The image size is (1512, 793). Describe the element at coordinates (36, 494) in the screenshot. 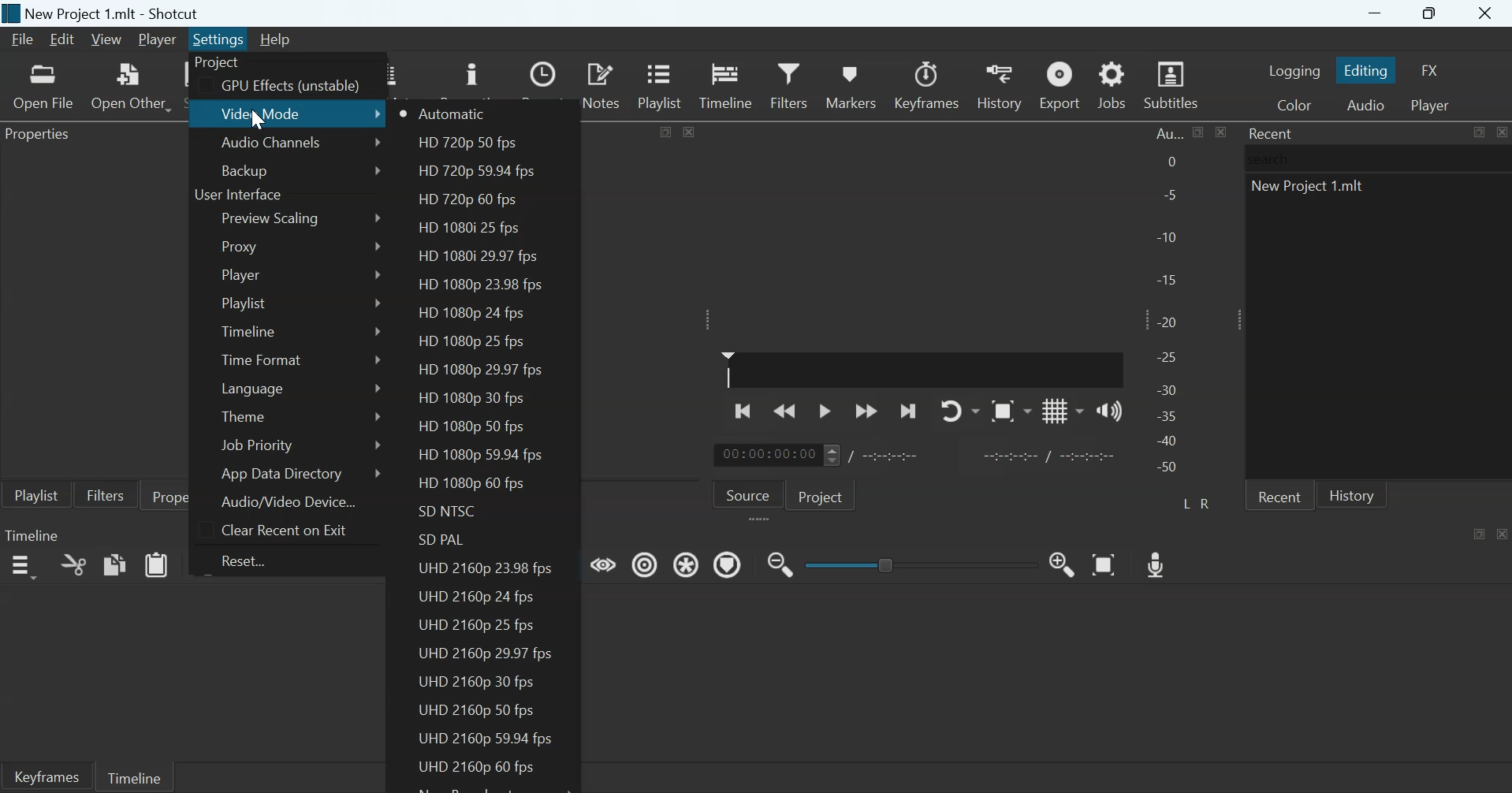

I see `Playlist` at that location.